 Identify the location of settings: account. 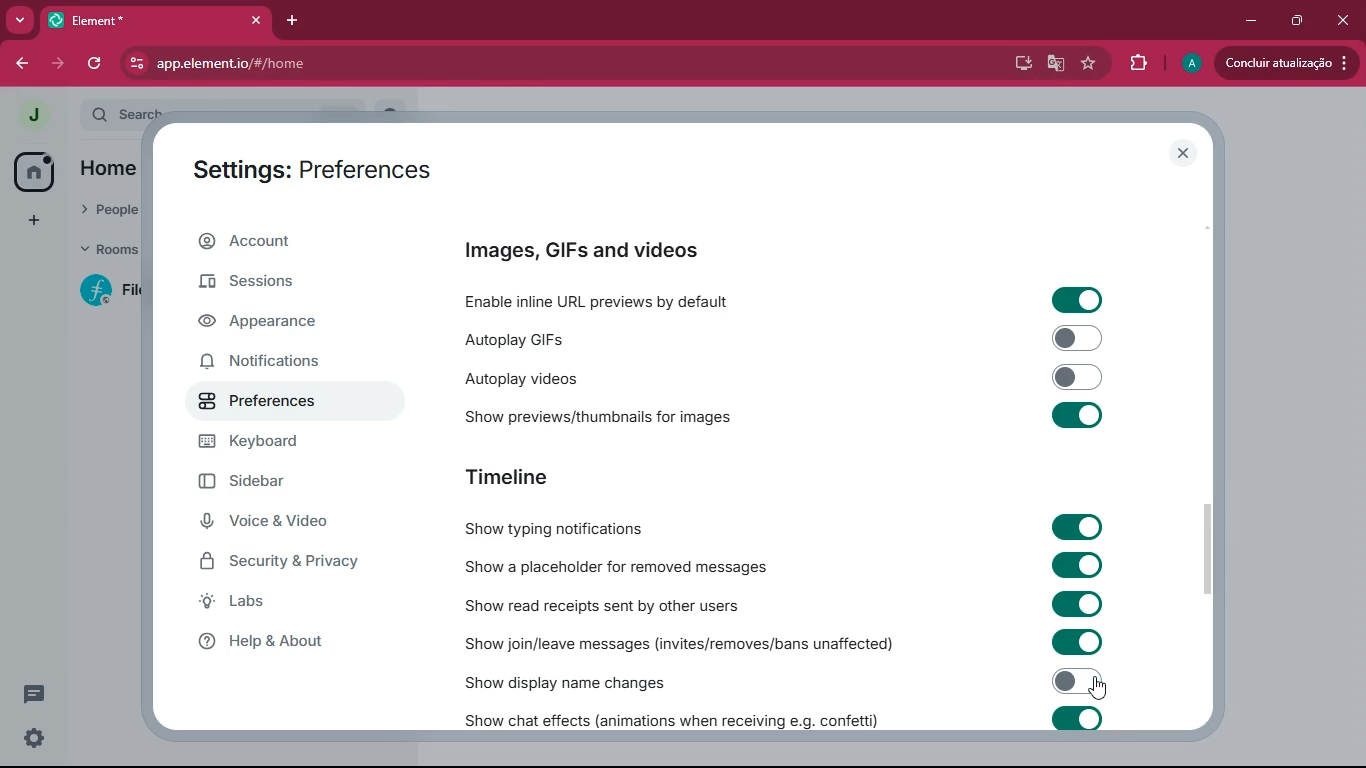
(315, 173).